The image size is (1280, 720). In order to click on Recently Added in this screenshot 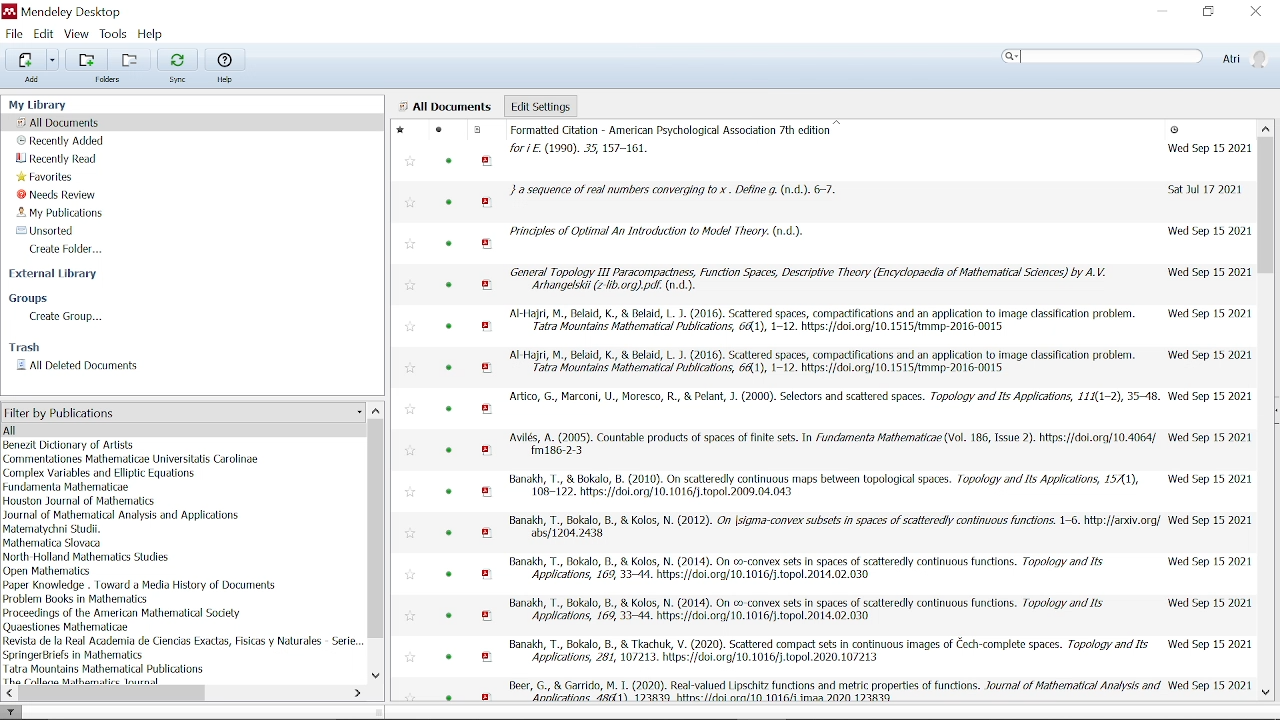, I will do `click(61, 141)`.